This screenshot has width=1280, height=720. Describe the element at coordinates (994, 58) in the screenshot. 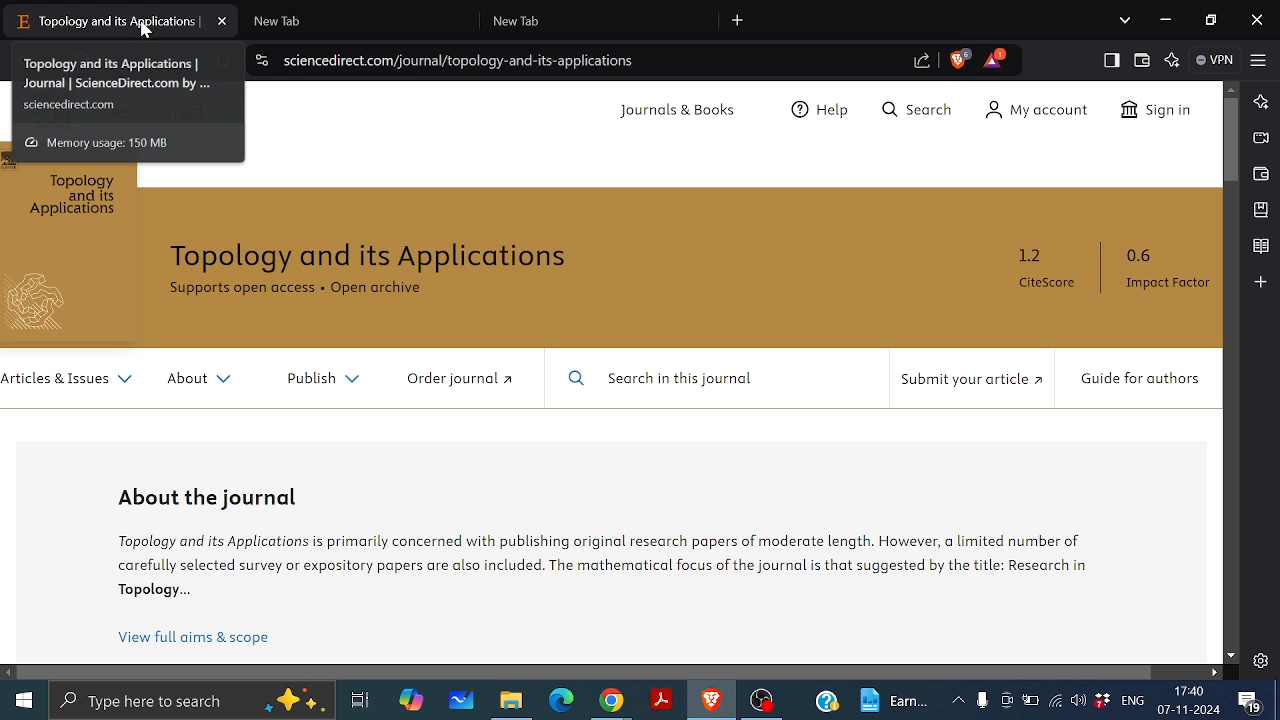

I see `Rewards` at that location.